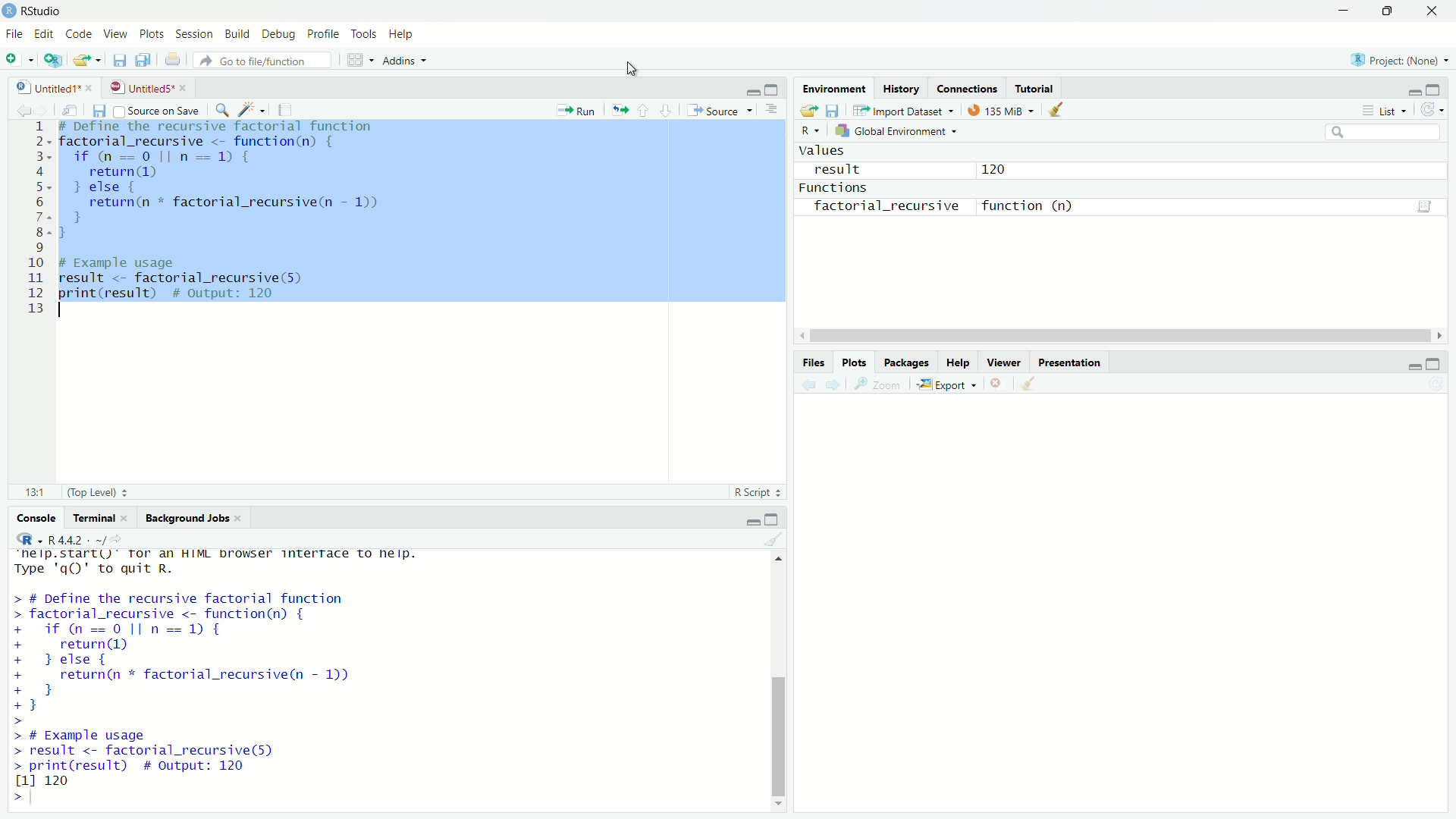 Image resolution: width=1456 pixels, height=819 pixels. I want to click on Global Environment, so click(901, 129).